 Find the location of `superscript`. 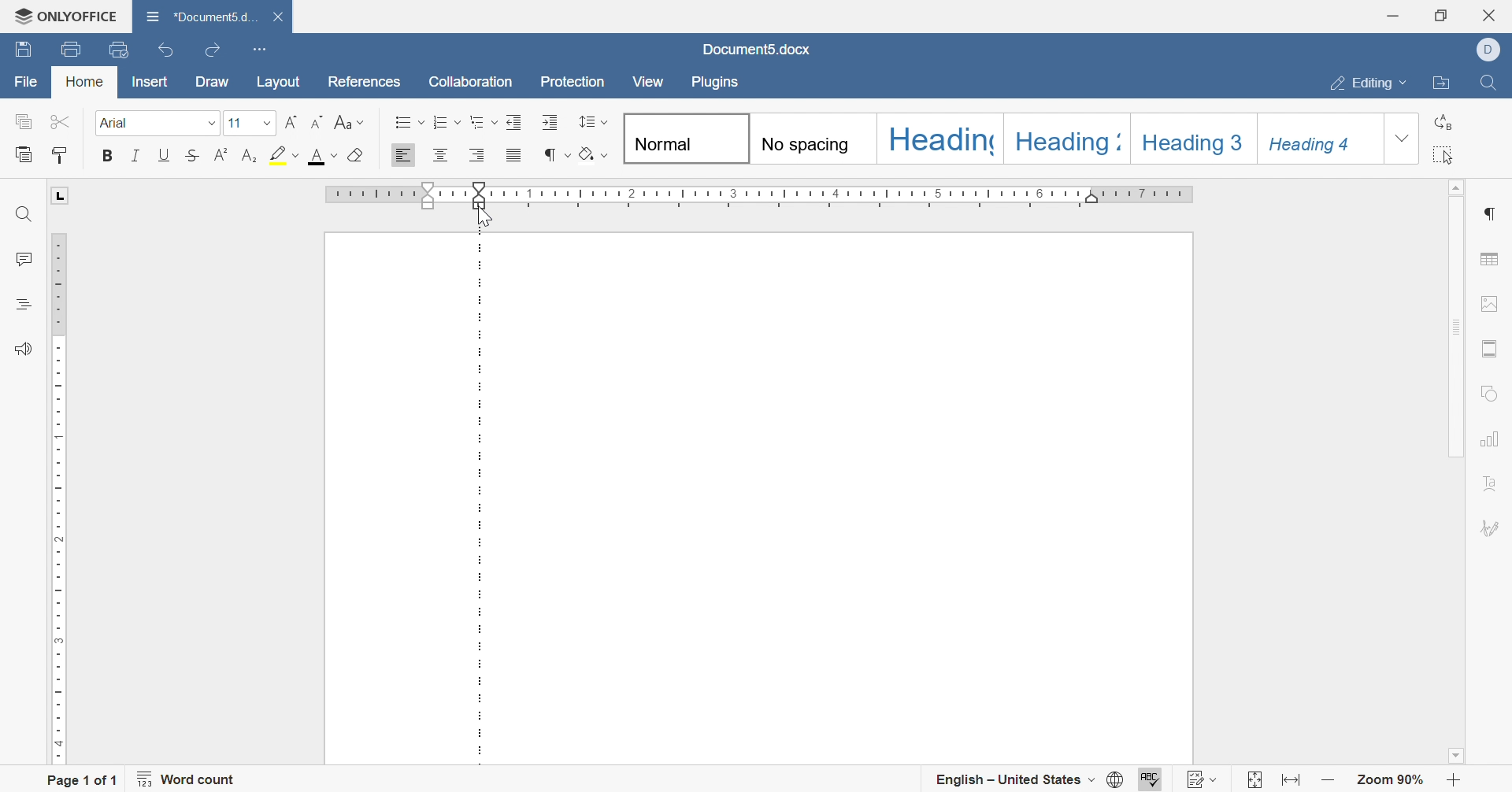

superscript is located at coordinates (222, 154).